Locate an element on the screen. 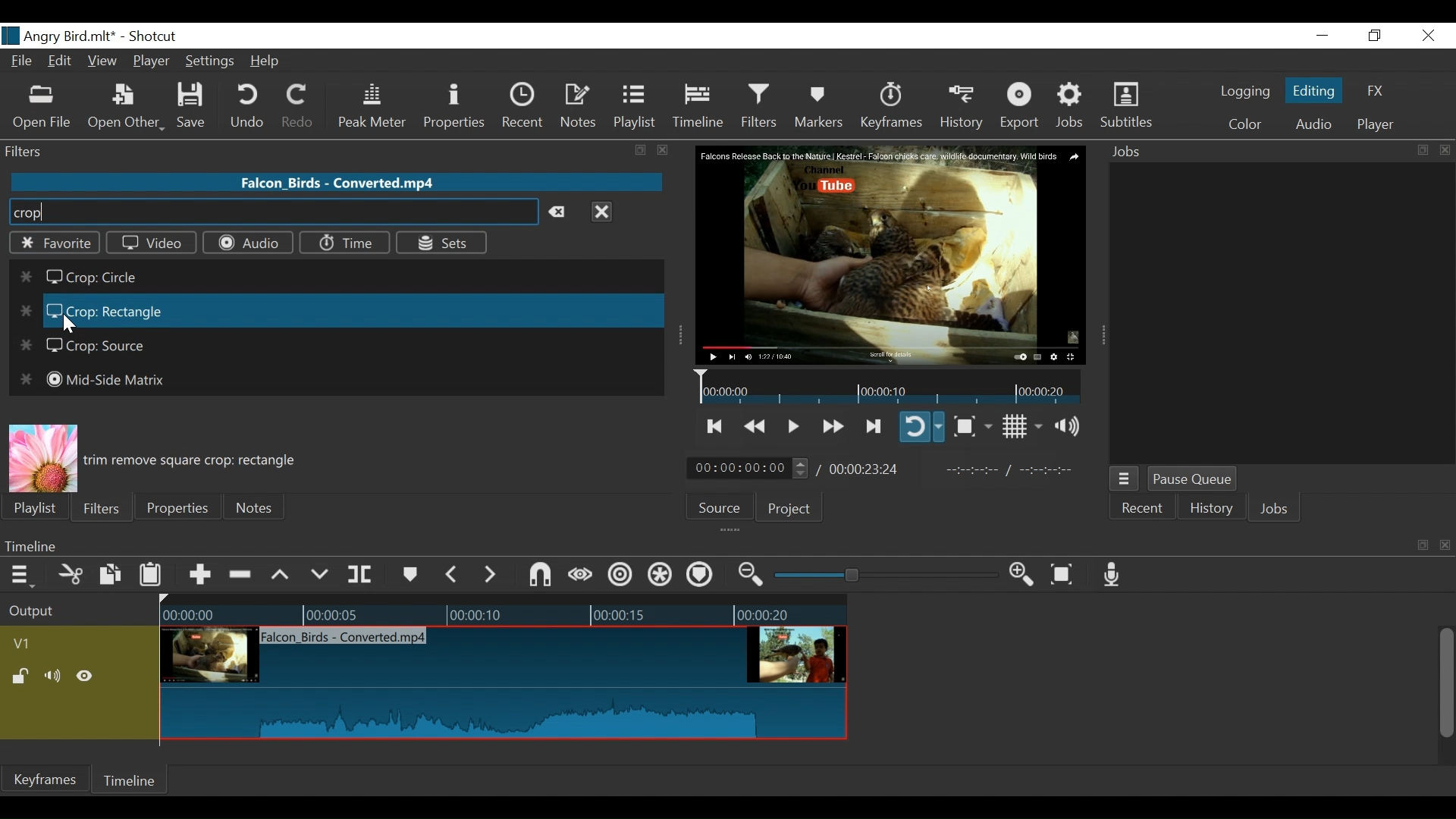  Toggle player looping is located at coordinates (921, 426).